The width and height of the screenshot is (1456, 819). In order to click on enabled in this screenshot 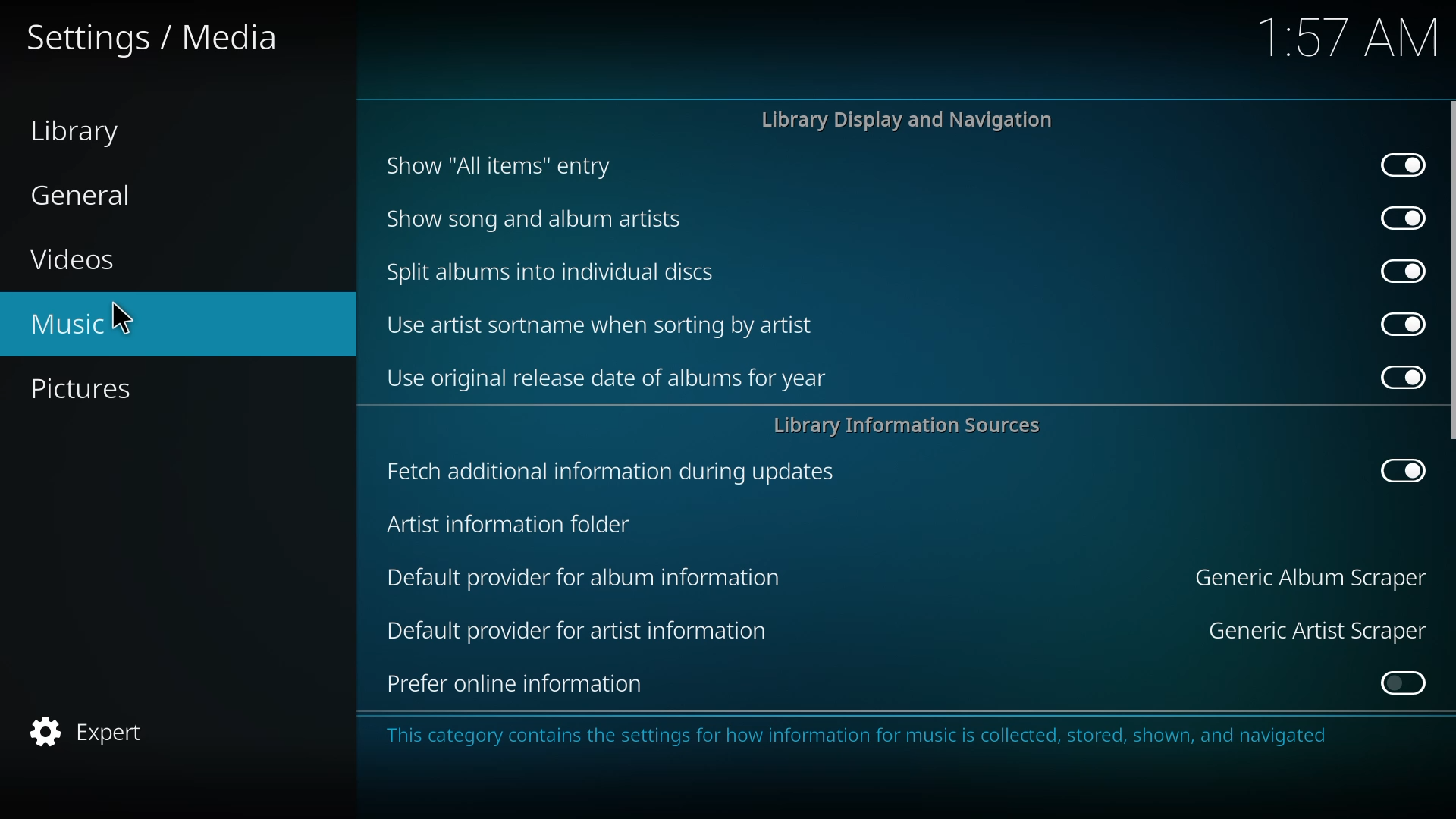, I will do `click(1398, 377)`.